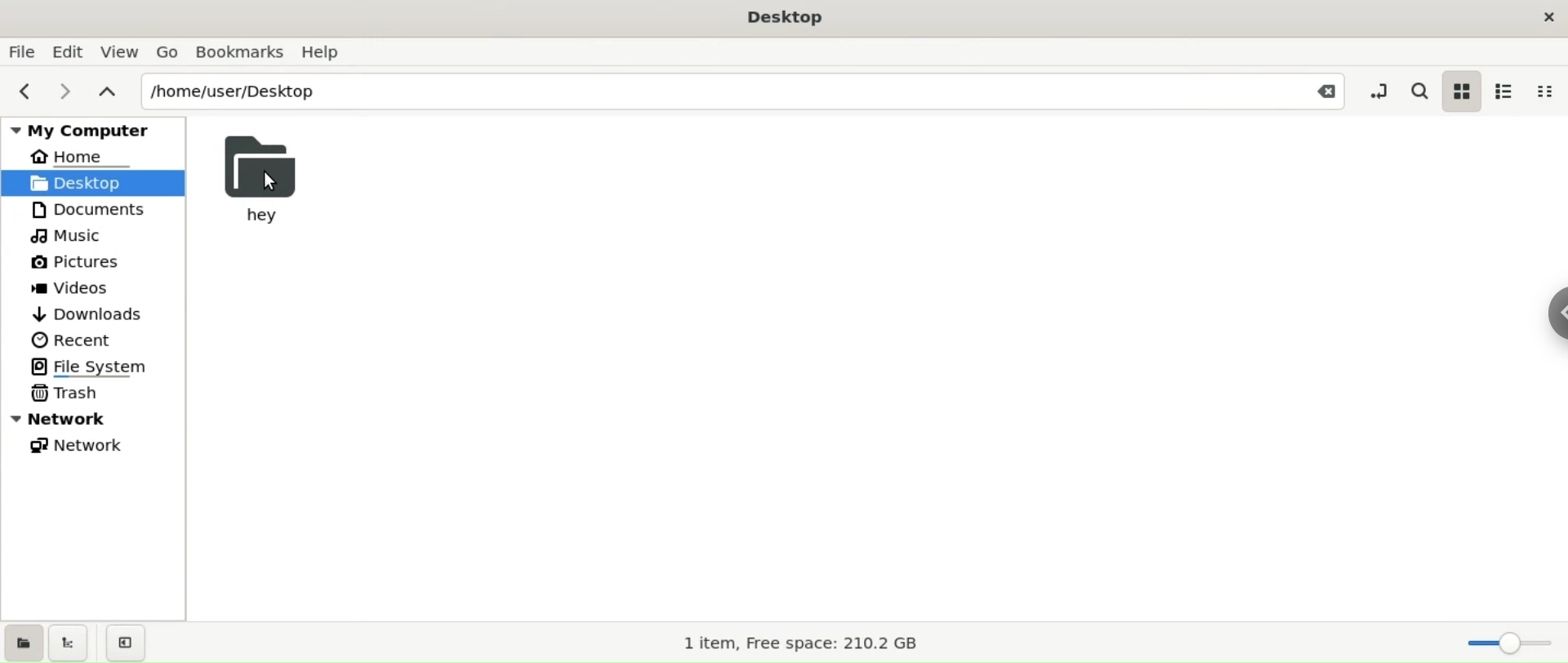 This screenshot has height=663, width=1568. I want to click on Recent, so click(71, 338).